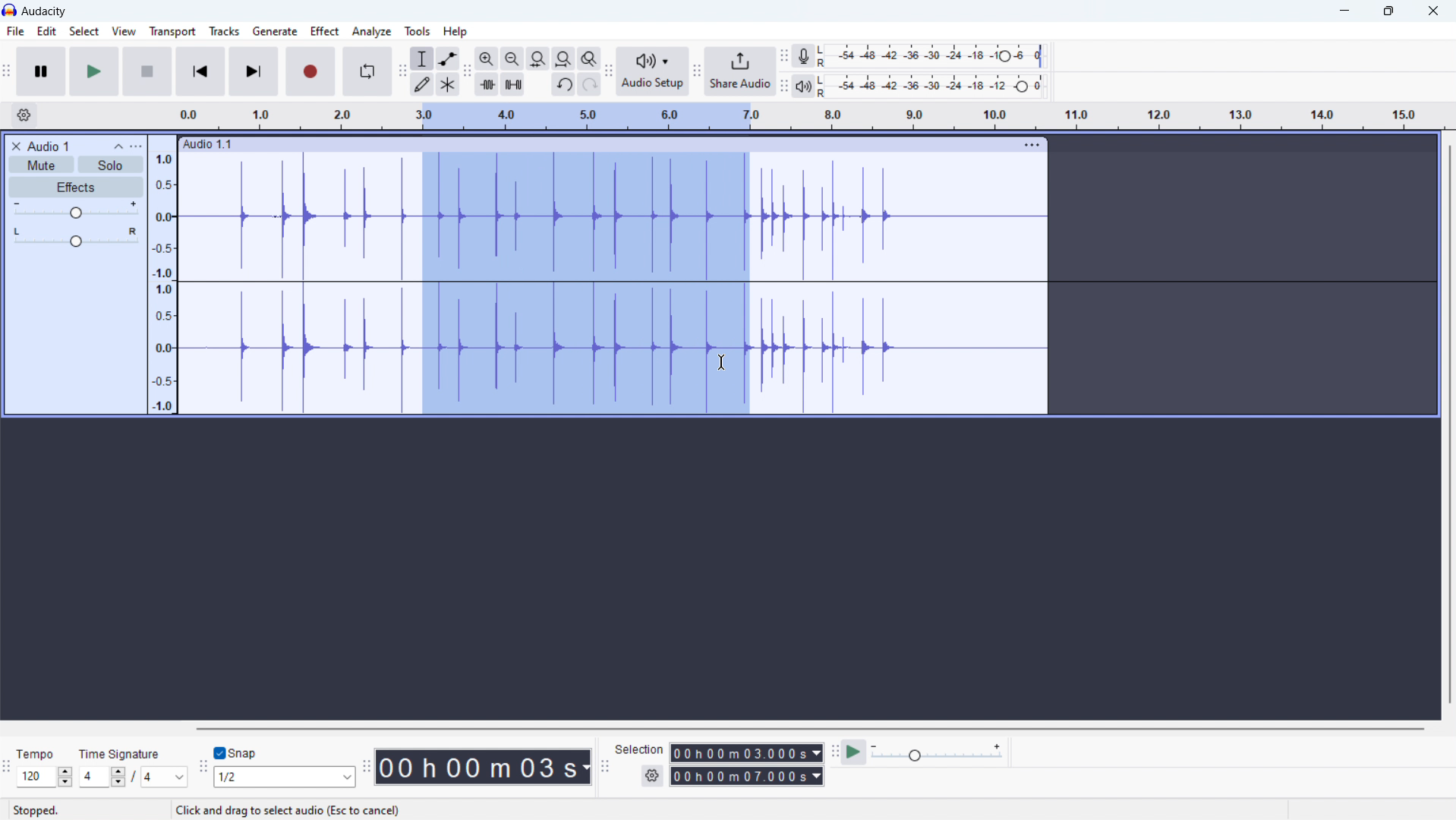 This screenshot has height=820, width=1456. Describe the element at coordinates (325, 31) in the screenshot. I see `effect` at that location.